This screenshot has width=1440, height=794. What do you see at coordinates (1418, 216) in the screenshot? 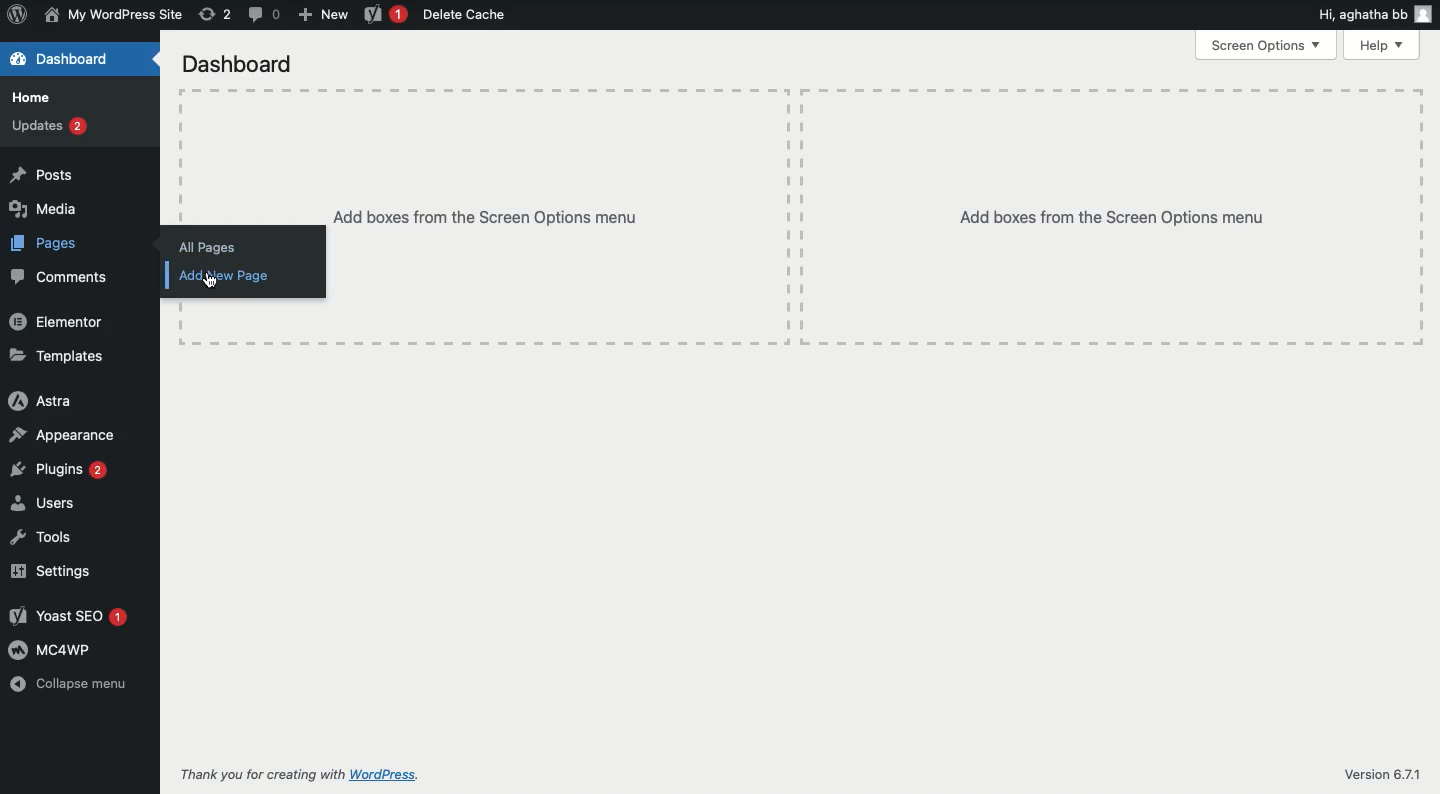
I see `Table line` at bounding box center [1418, 216].